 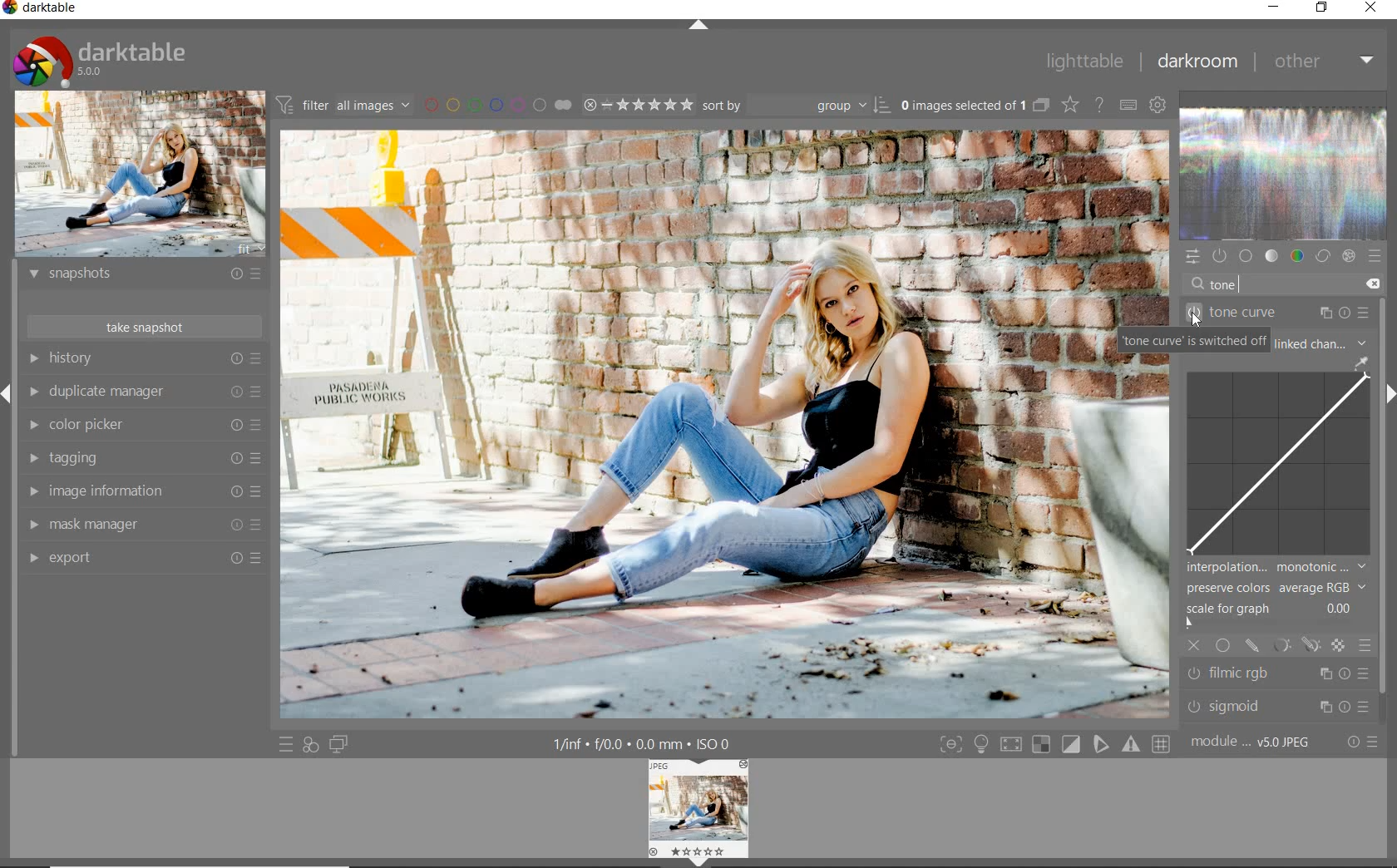 What do you see at coordinates (725, 425) in the screenshot?
I see `selected image` at bounding box center [725, 425].